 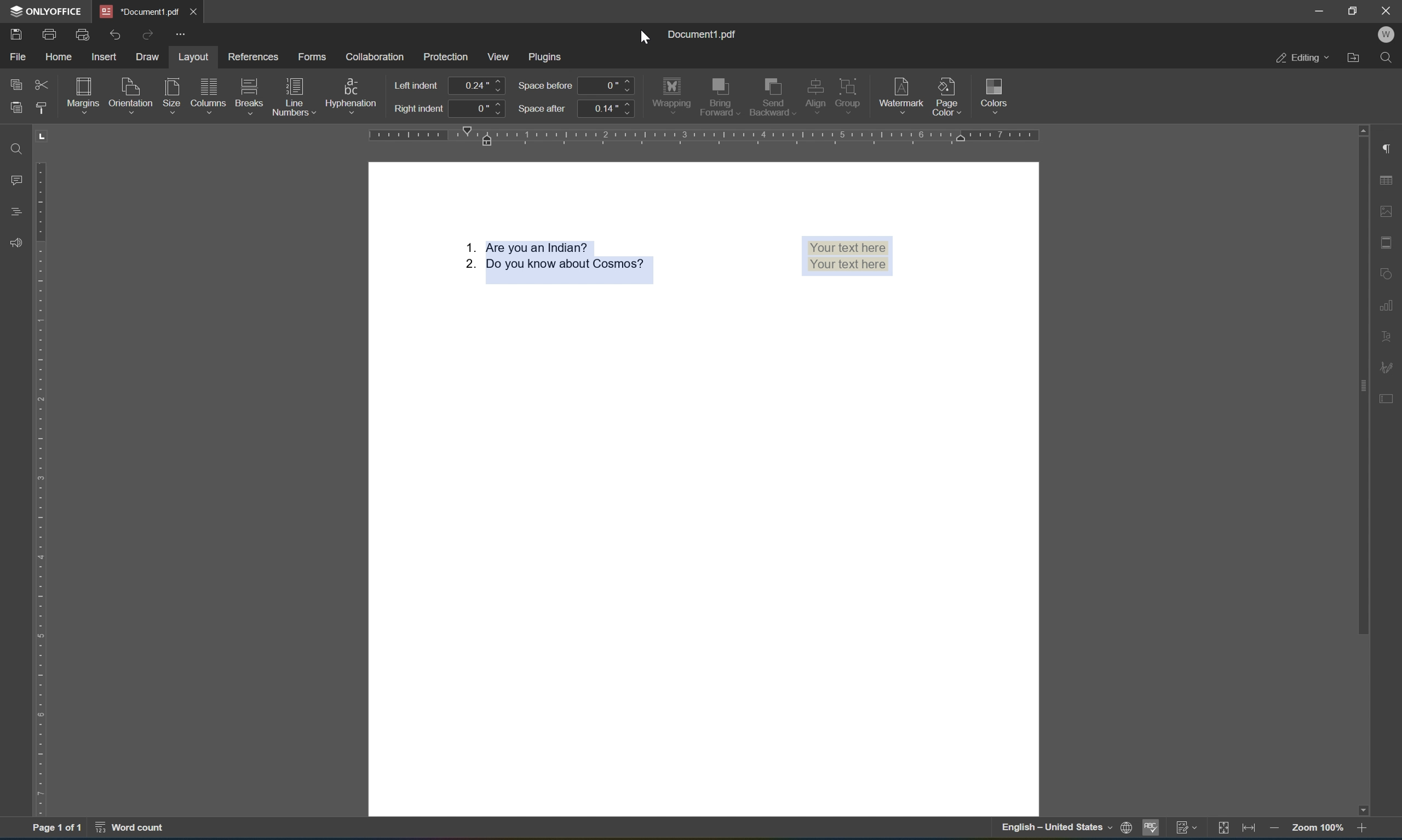 I want to click on page 1 of 1, so click(x=57, y=829).